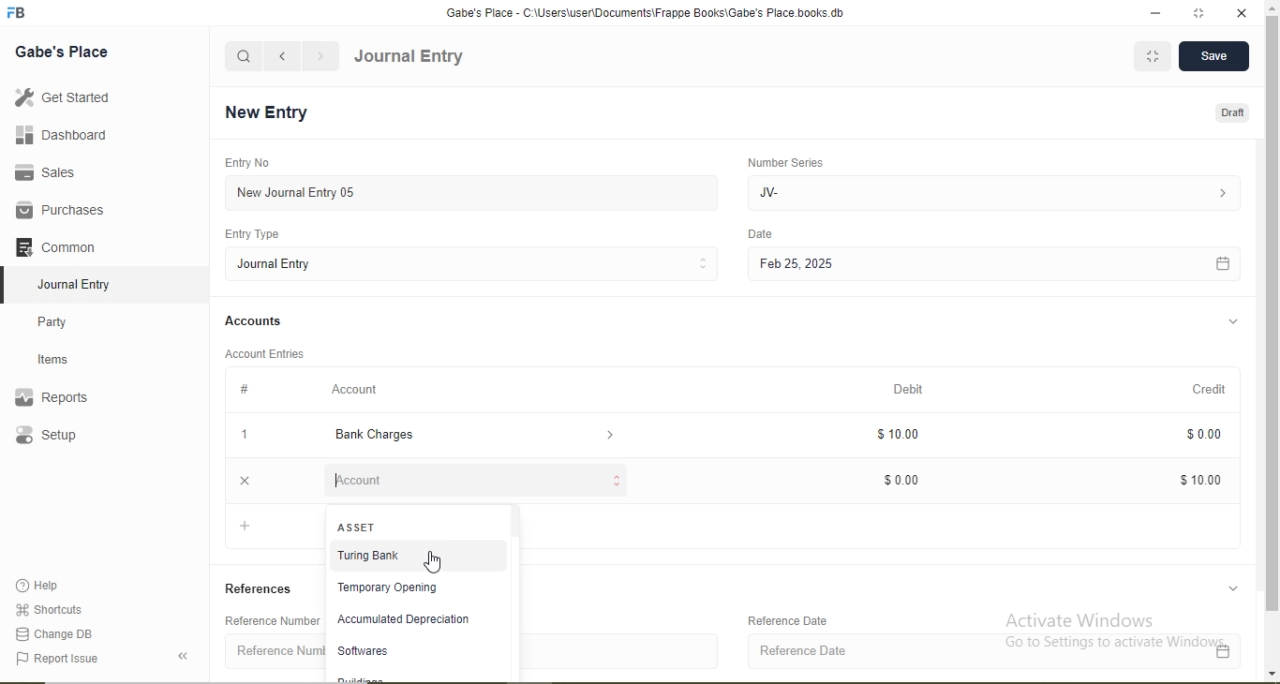  Describe the element at coordinates (272, 651) in the screenshot. I see `Reference Number` at that location.